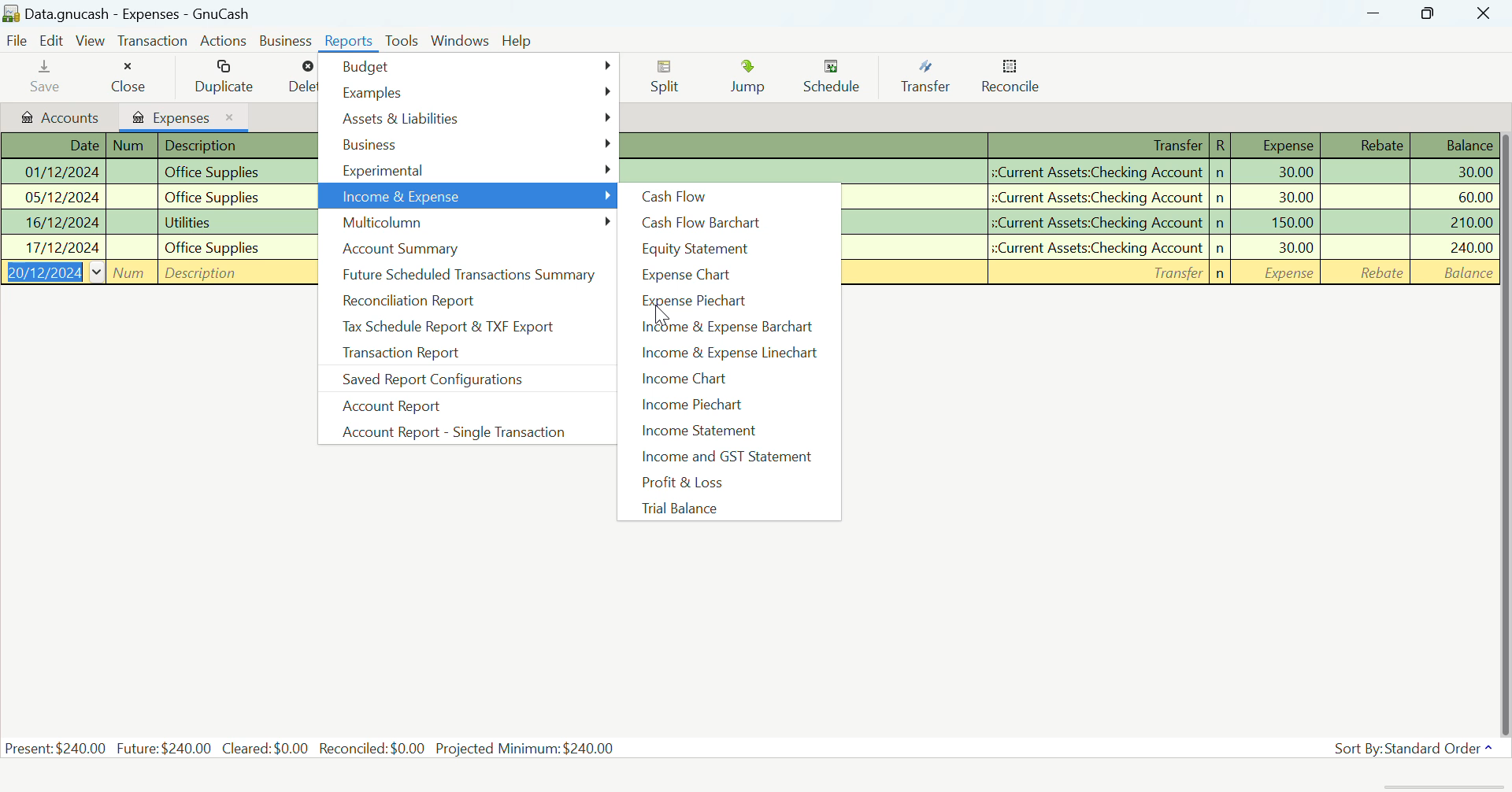  I want to click on Future, so click(165, 749).